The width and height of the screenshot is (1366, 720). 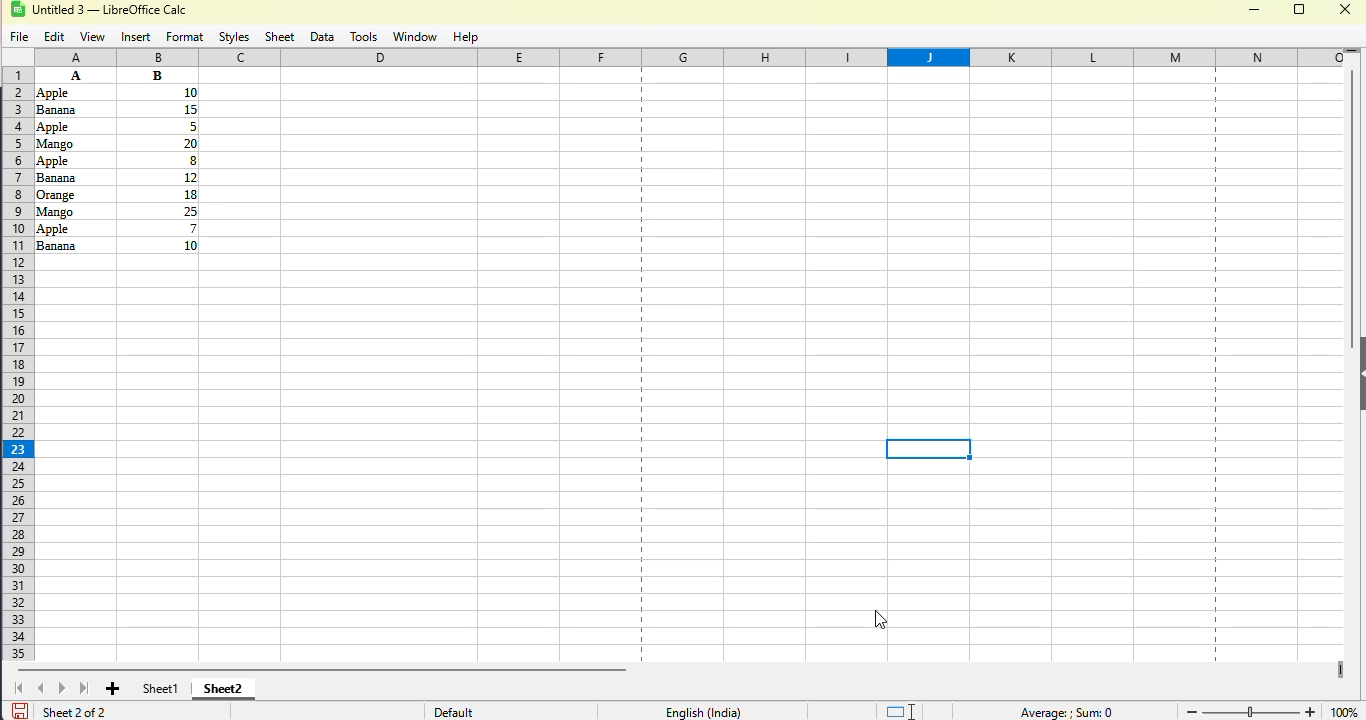 I want to click on , so click(x=74, y=210).